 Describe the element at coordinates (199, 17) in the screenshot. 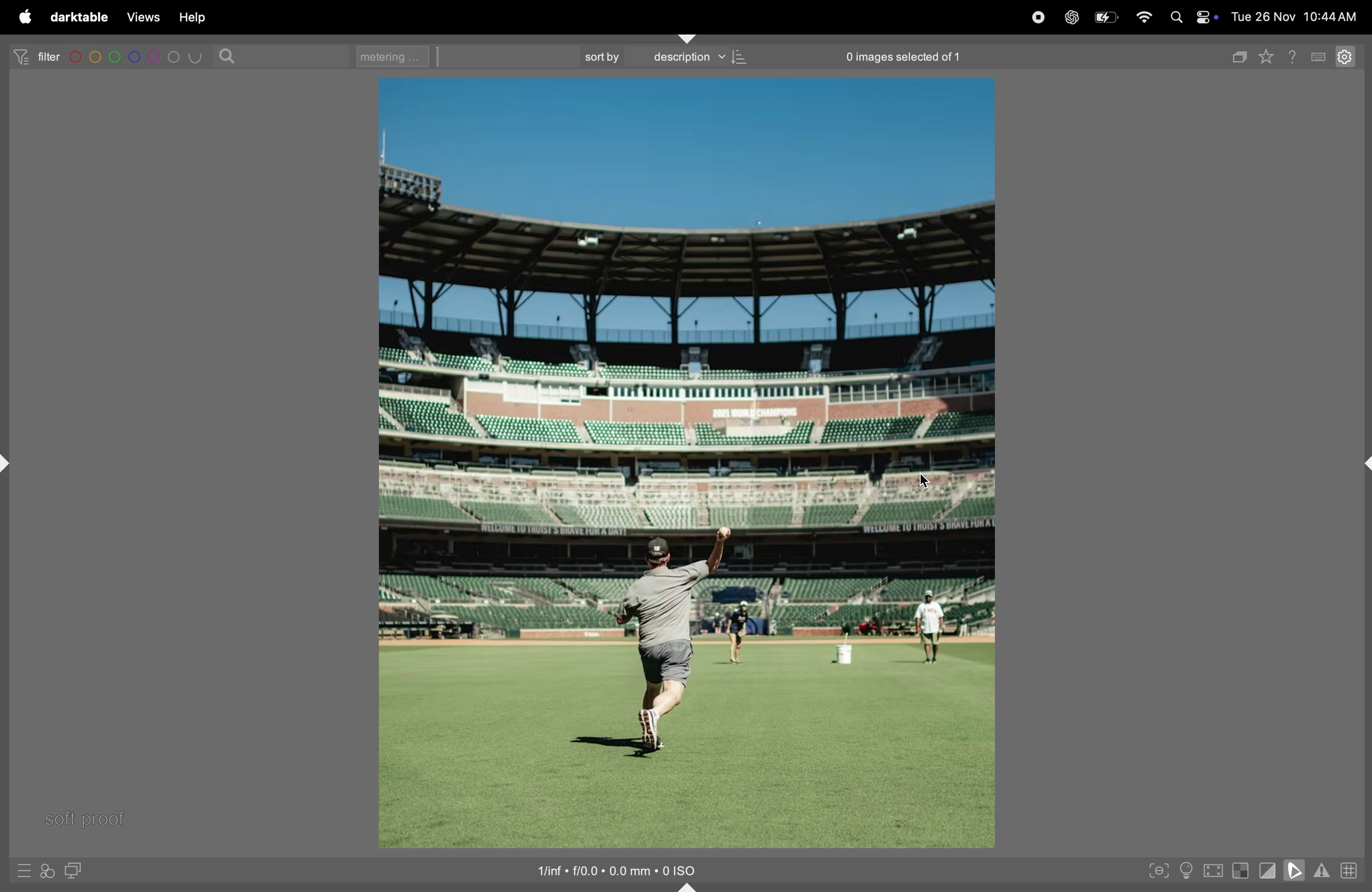

I see `help` at that location.